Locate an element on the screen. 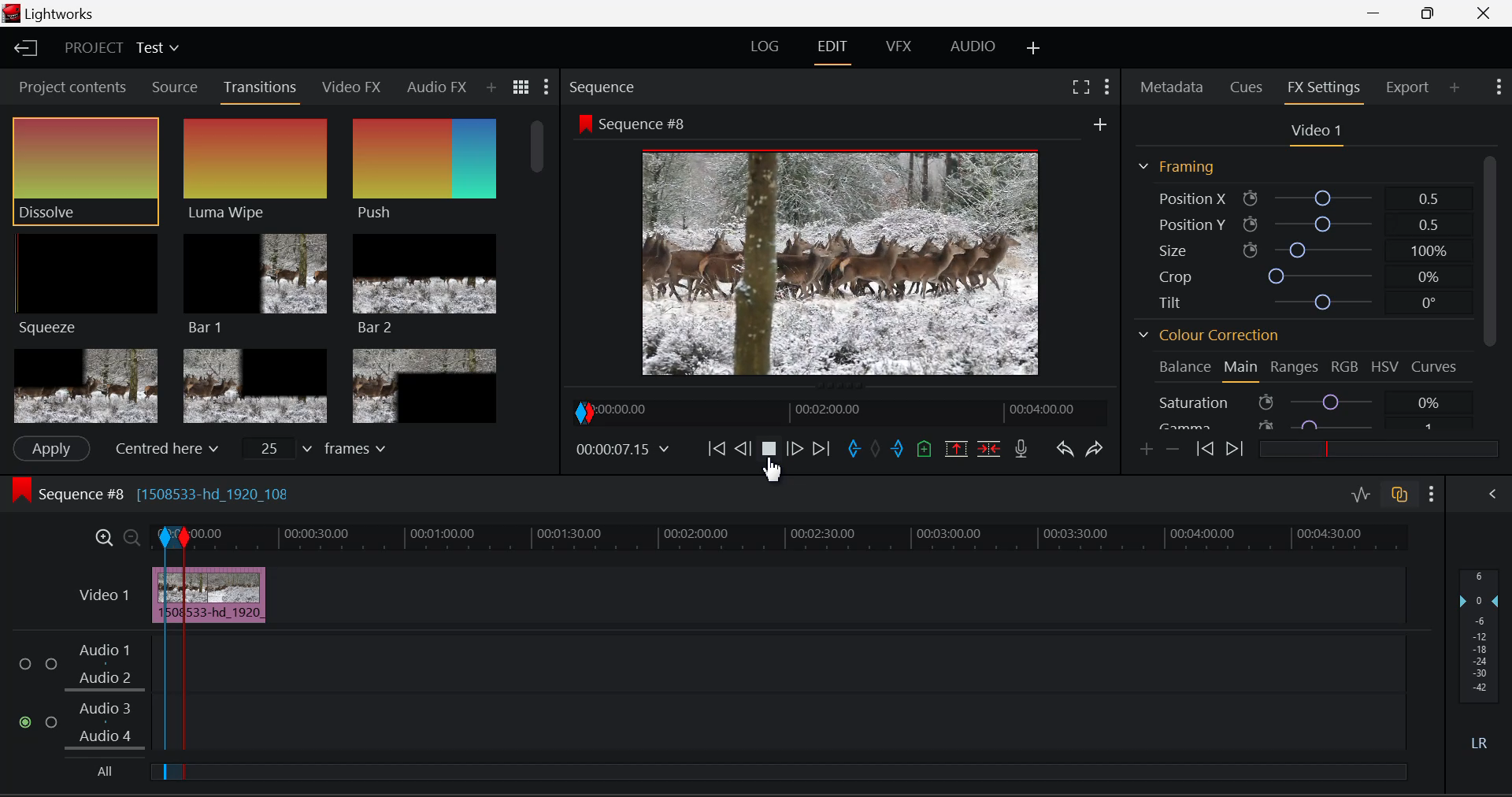 The height and width of the screenshot is (797, 1512). Saturation is located at coordinates (1299, 402).